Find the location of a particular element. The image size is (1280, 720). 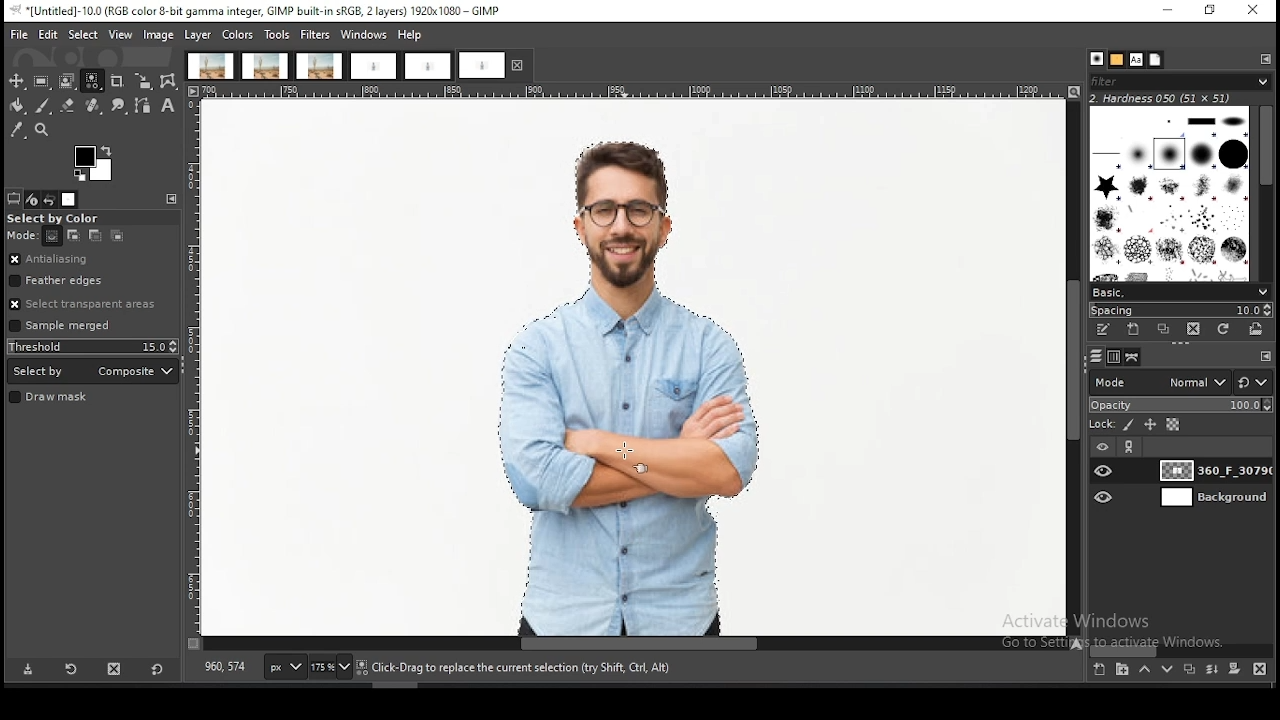

windows is located at coordinates (364, 35).